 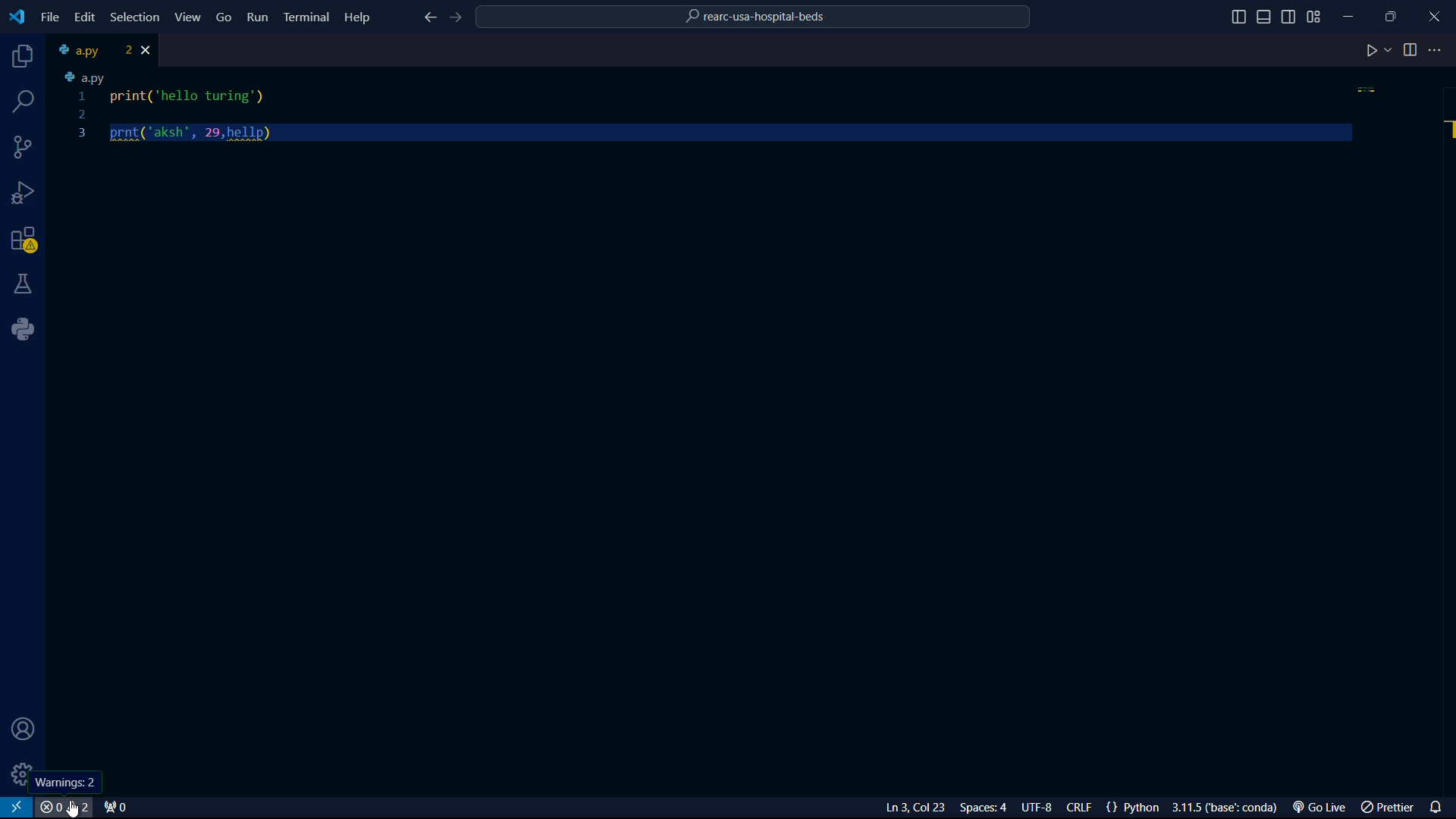 I want to click on search, so click(x=25, y=102).